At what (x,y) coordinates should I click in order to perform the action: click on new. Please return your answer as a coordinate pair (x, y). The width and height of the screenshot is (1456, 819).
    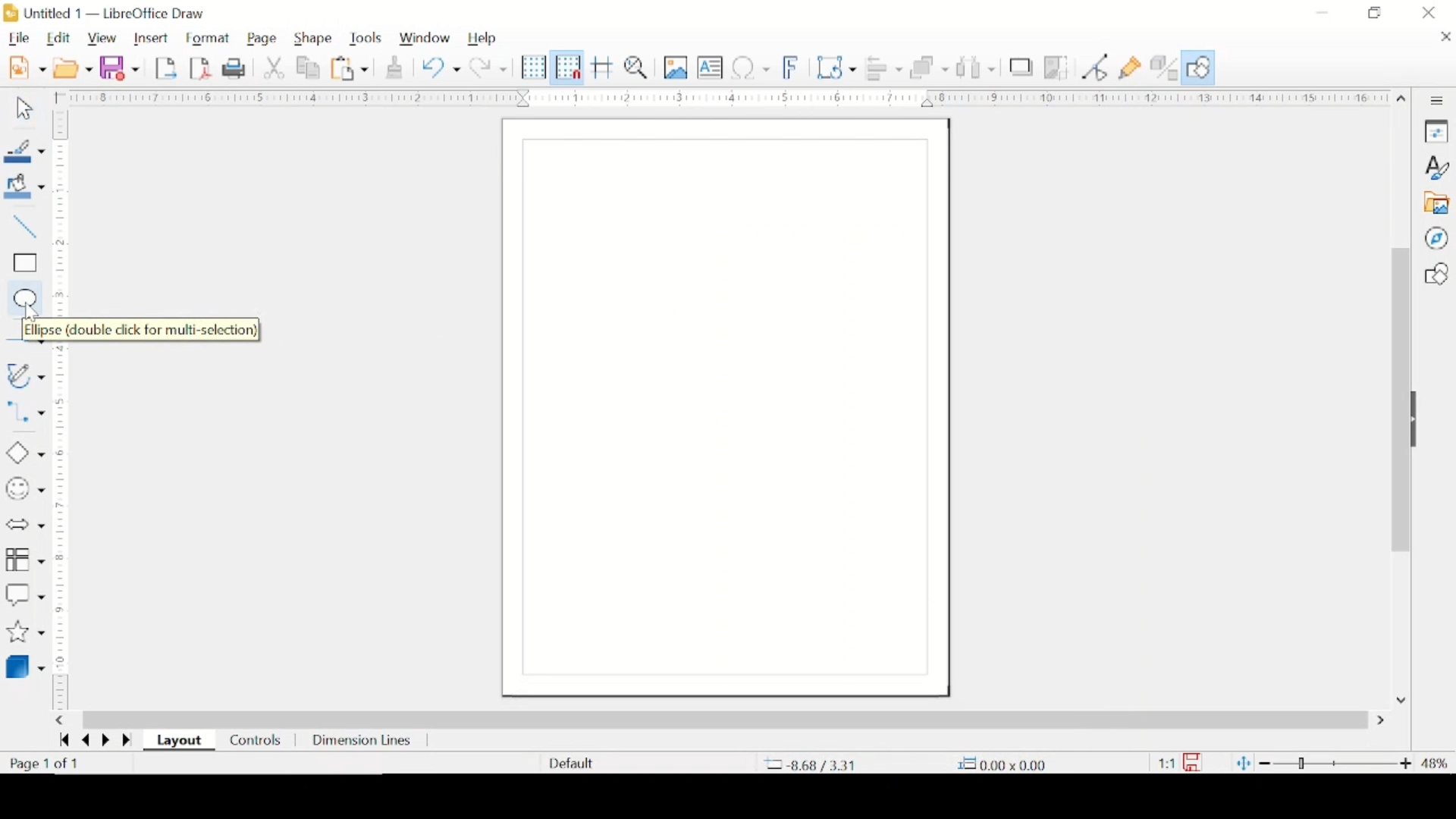
    Looking at the image, I should click on (27, 67).